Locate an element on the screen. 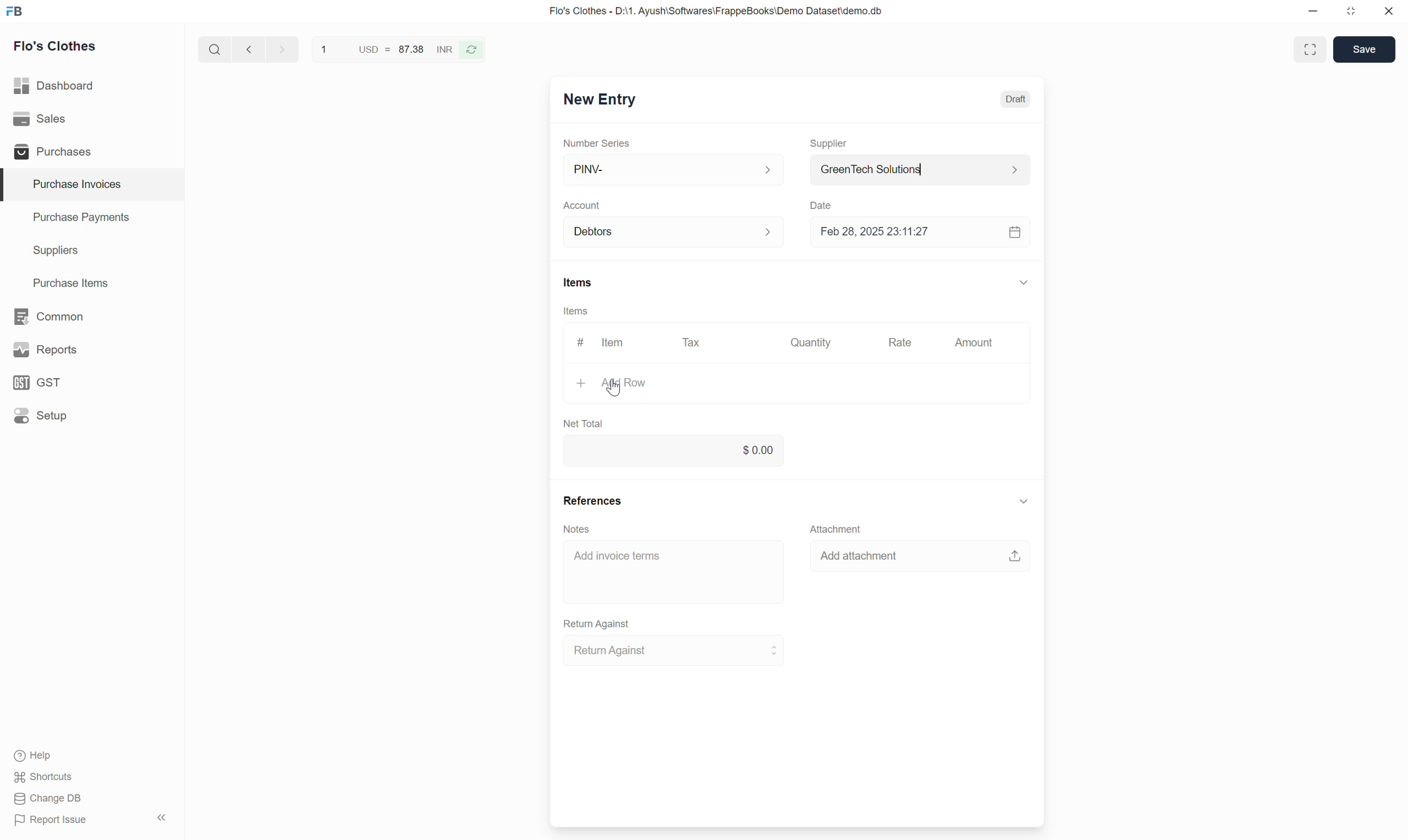  Add attachment is located at coordinates (920, 555).